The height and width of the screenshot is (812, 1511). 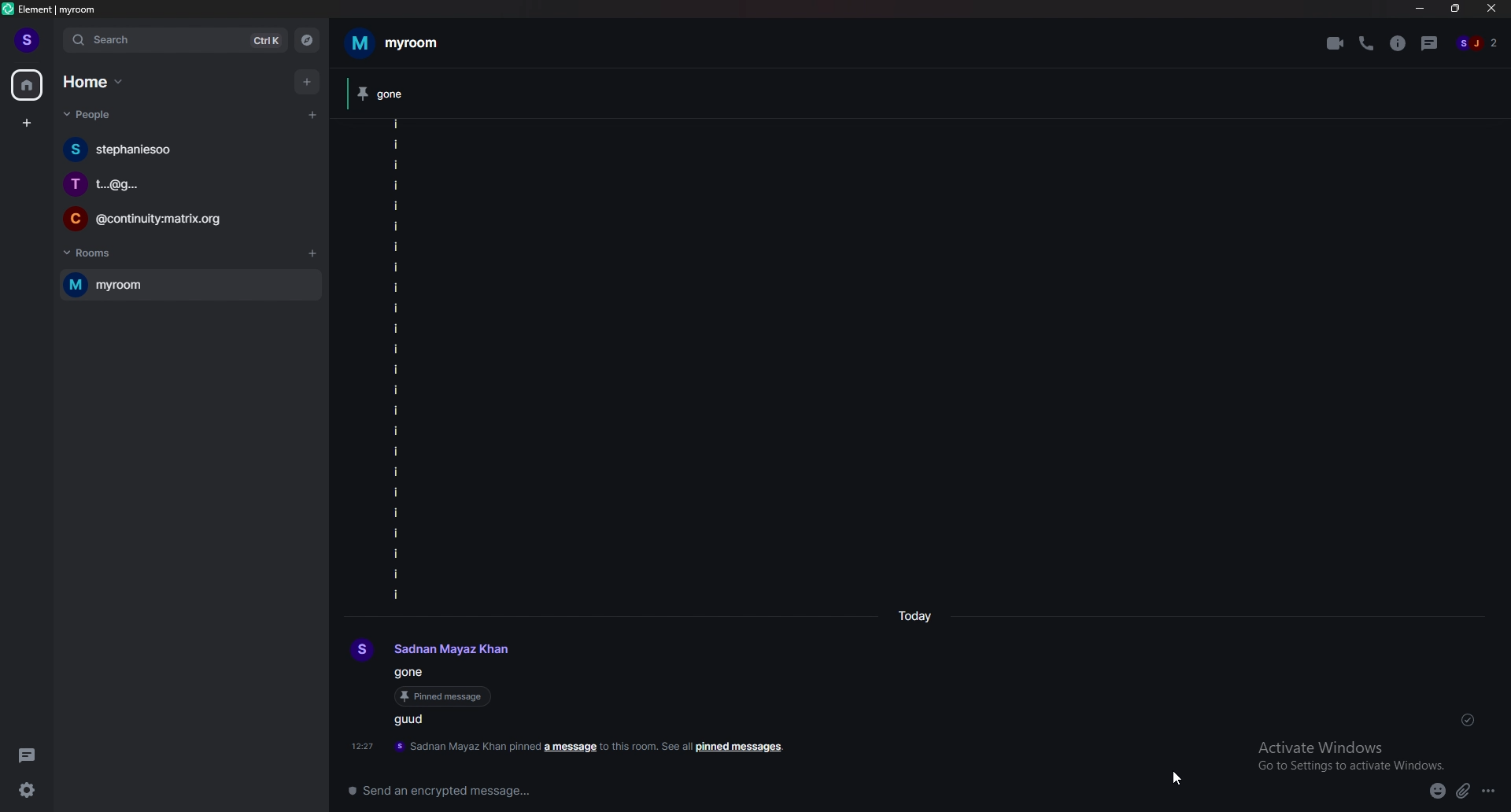 I want to click on room info, so click(x=1398, y=43).